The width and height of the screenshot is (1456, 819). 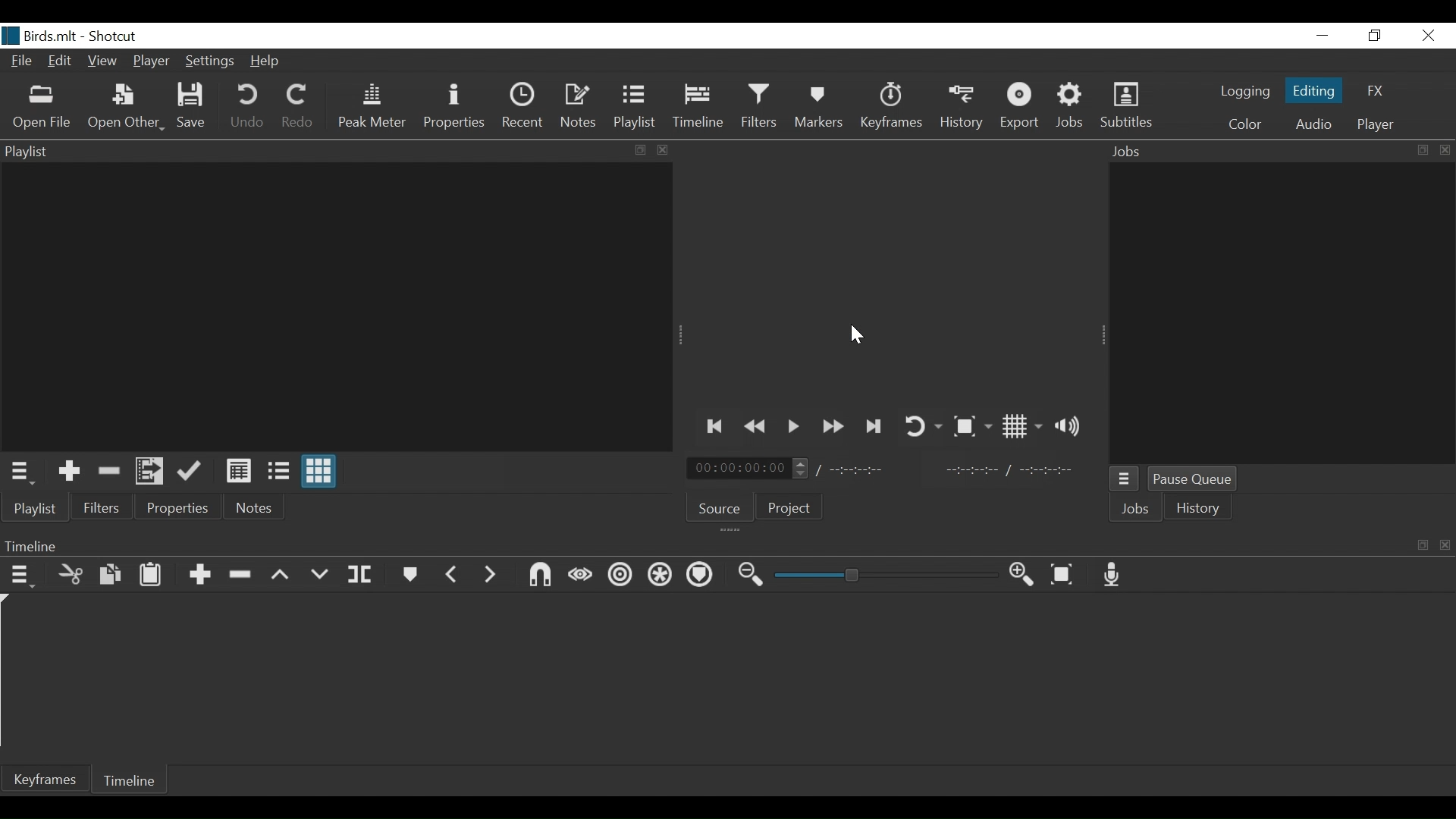 What do you see at coordinates (1075, 105) in the screenshot?
I see `Jobs` at bounding box center [1075, 105].